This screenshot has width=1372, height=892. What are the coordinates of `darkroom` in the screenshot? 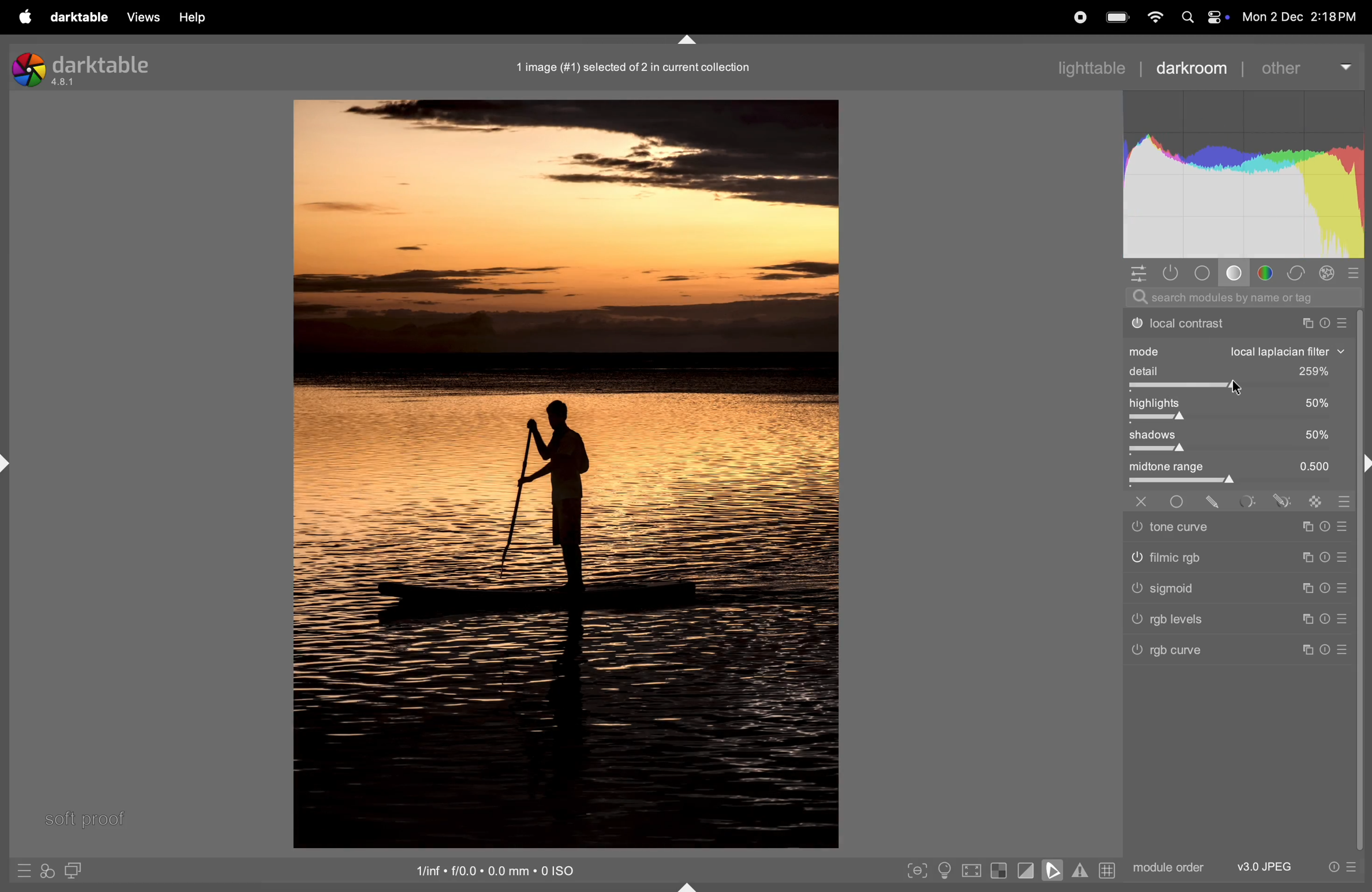 It's located at (1192, 67).